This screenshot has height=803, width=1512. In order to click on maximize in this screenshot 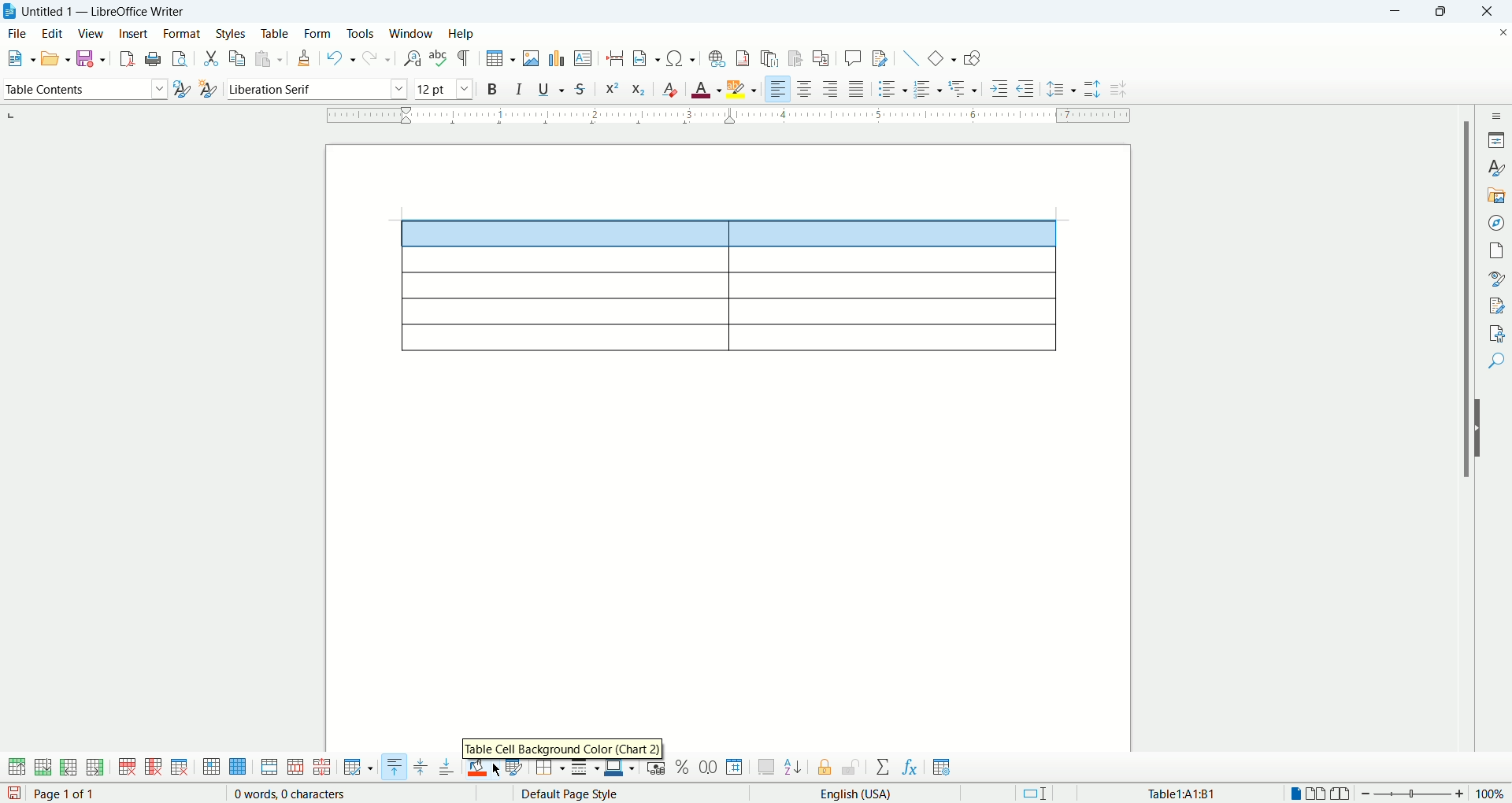, I will do `click(1443, 12)`.